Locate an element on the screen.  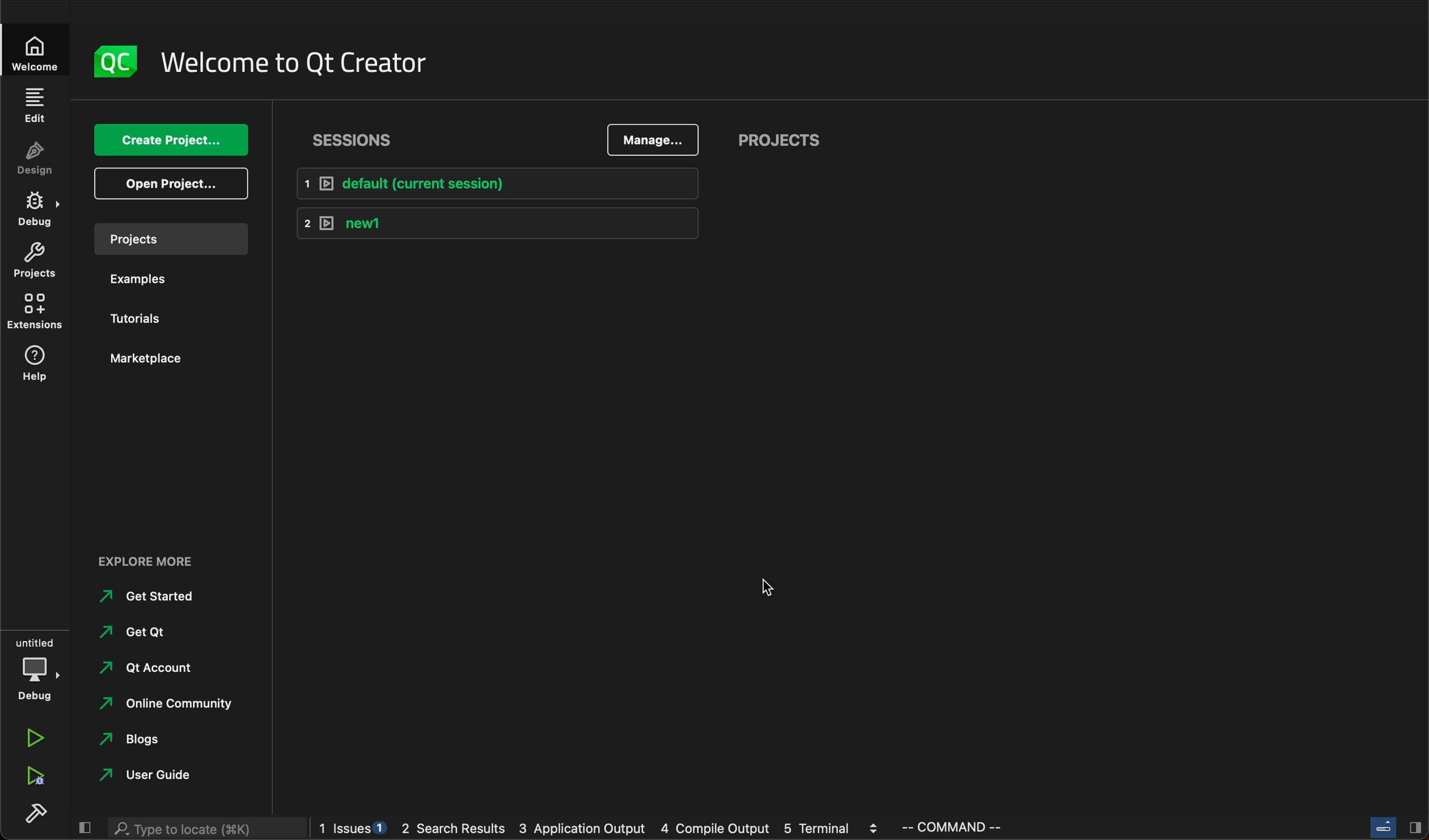
cursor is located at coordinates (776, 592).